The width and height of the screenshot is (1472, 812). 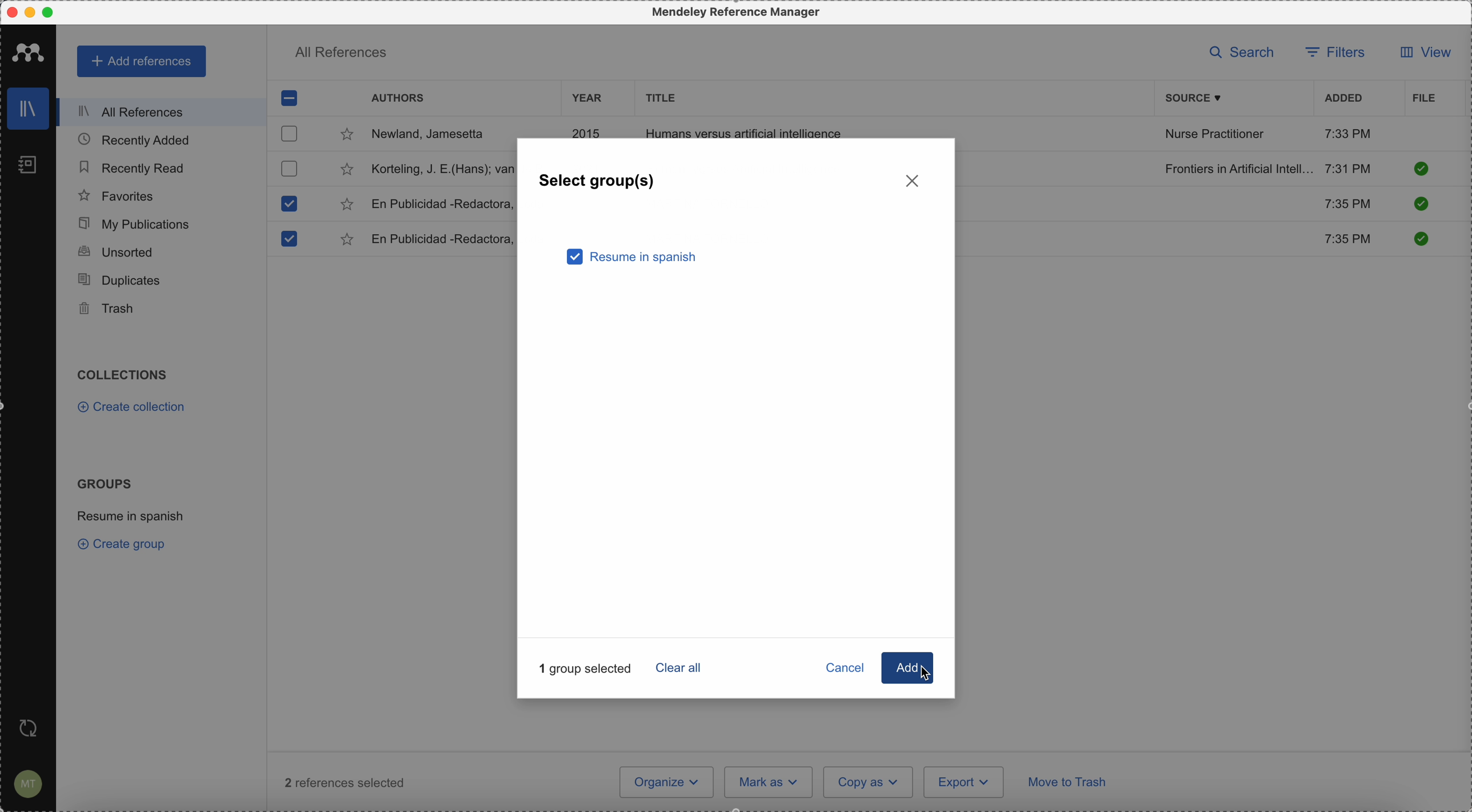 What do you see at coordinates (1246, 53) in the screenshot?
I see `search` at bounding box center [1246, 53].